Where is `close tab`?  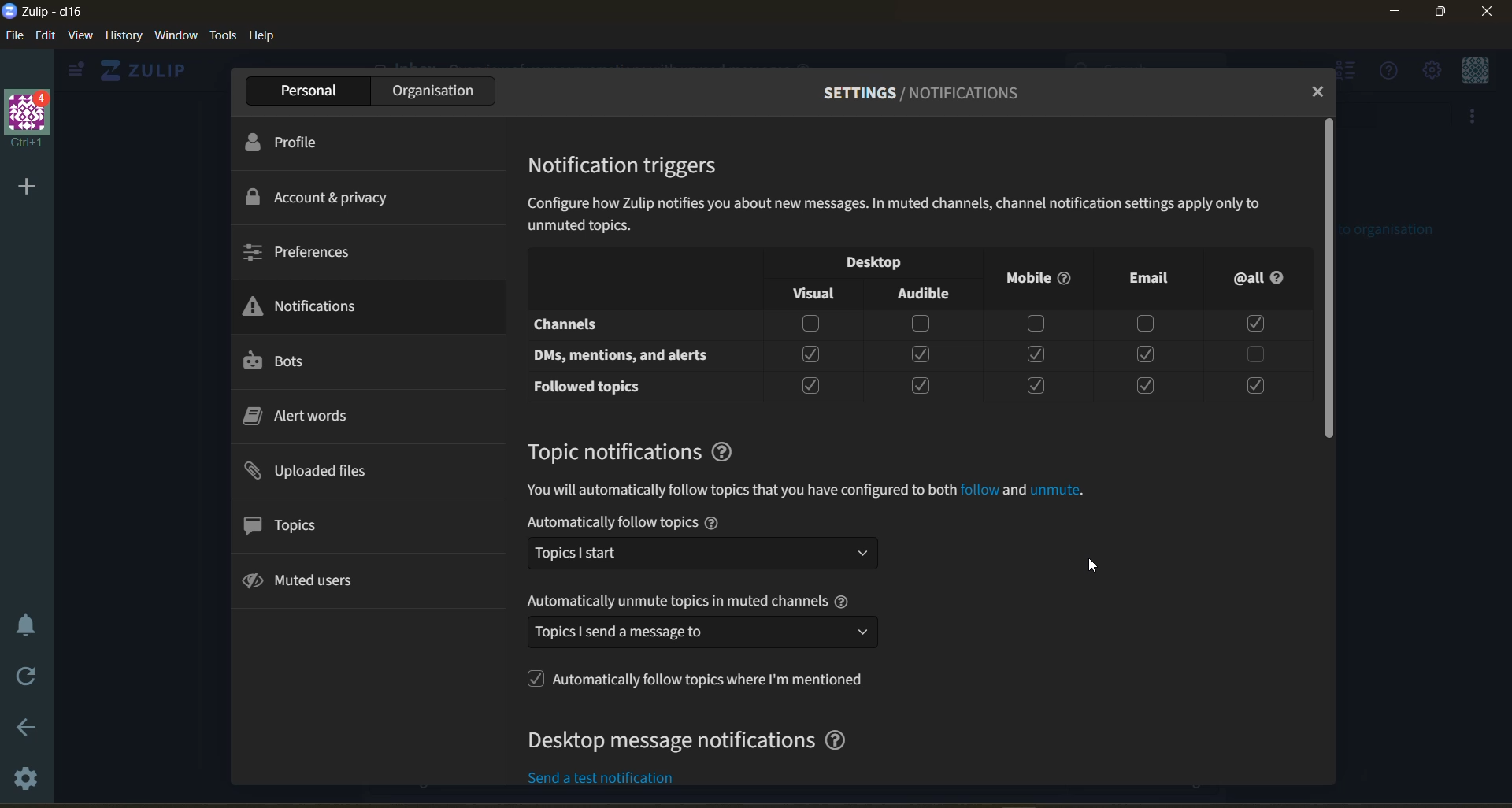
close tab is located at coordinates (1319, 93).